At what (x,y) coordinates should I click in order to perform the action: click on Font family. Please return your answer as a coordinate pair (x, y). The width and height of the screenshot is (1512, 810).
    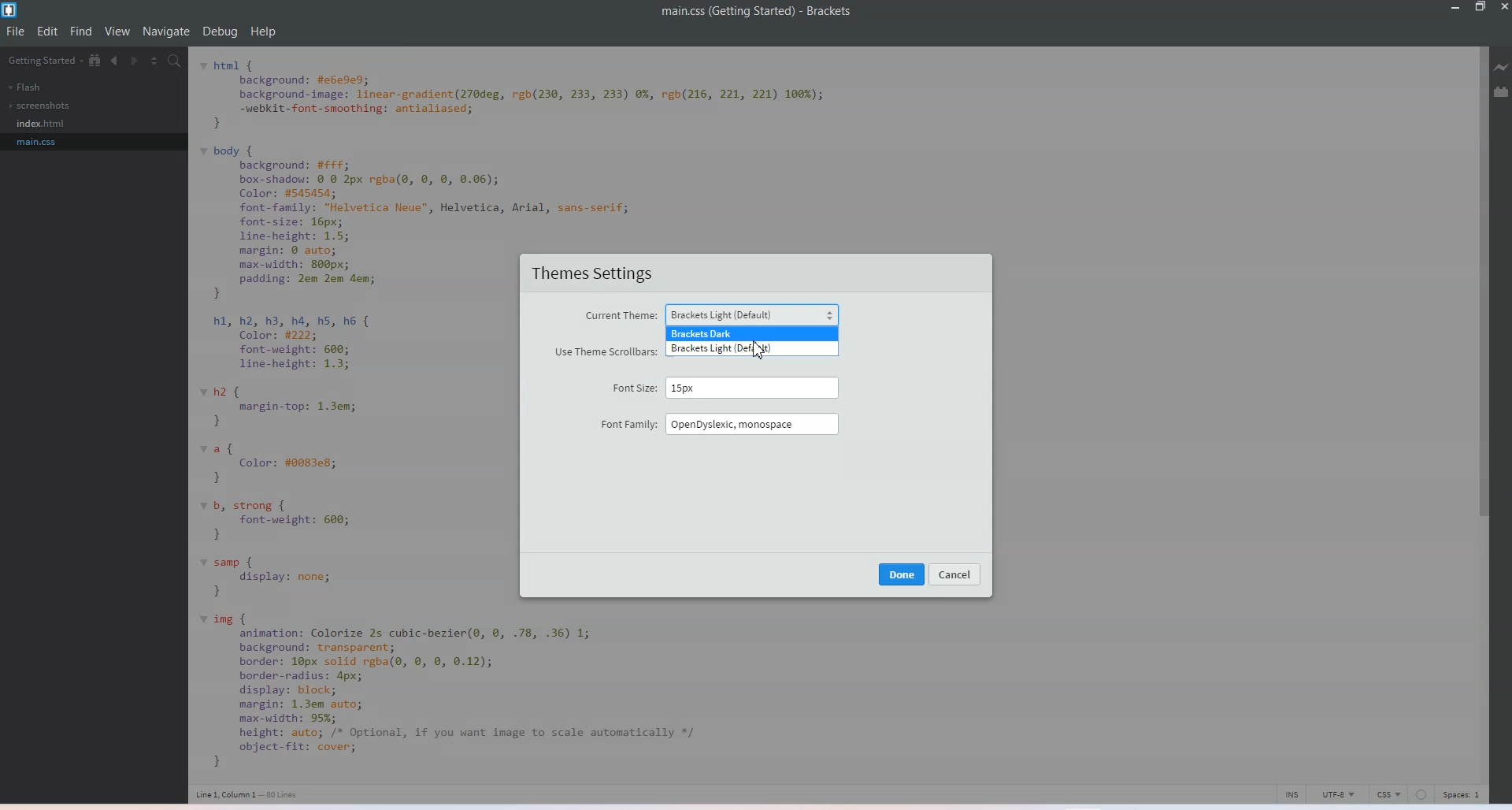
    Looking at the image, I should click on (628, 424).